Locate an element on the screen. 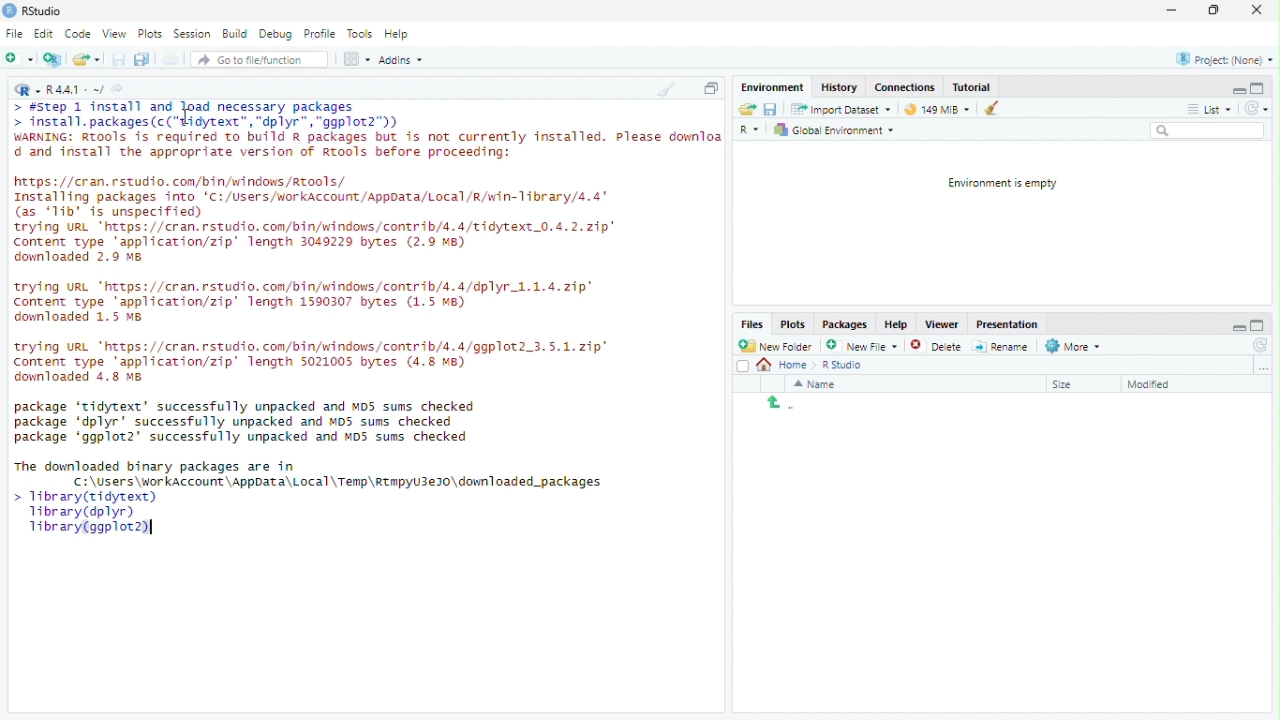 This screenshot has width=1280, height=720. More is located at coordinates (1075, 347).